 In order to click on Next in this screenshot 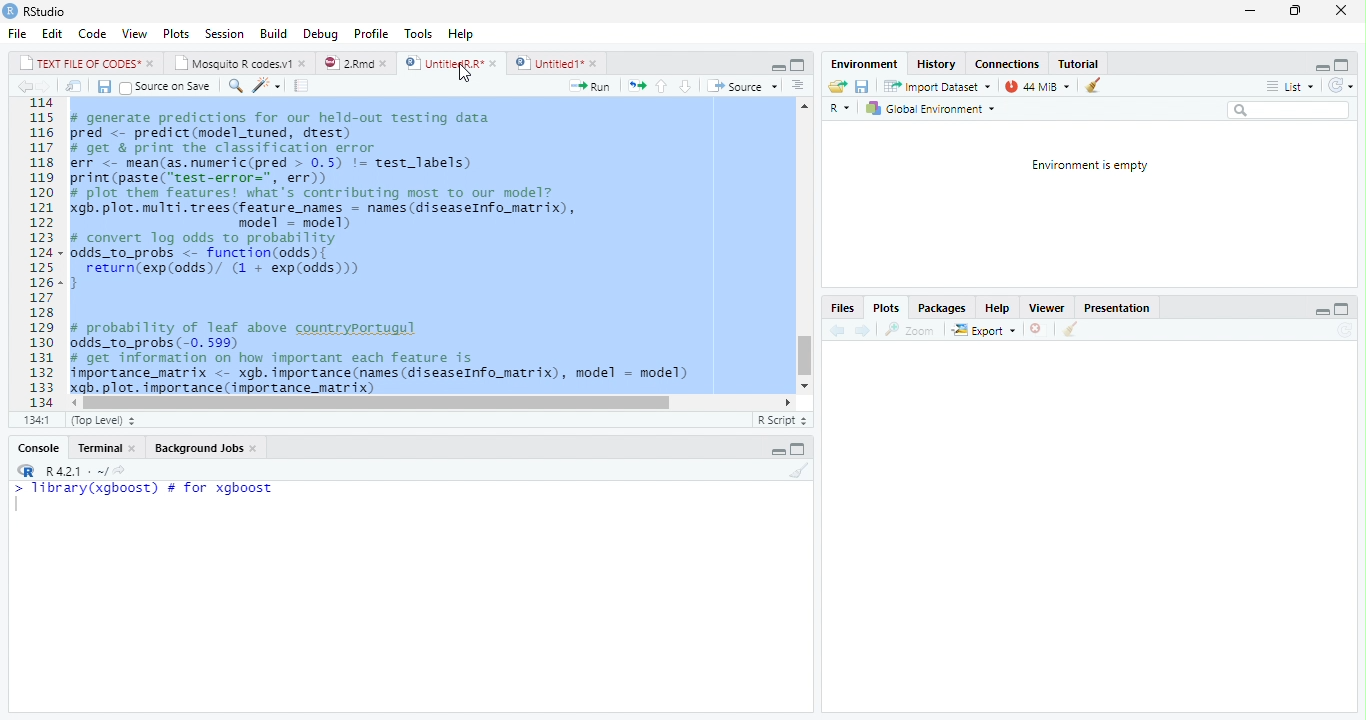, I will do `click(49, 86)`.